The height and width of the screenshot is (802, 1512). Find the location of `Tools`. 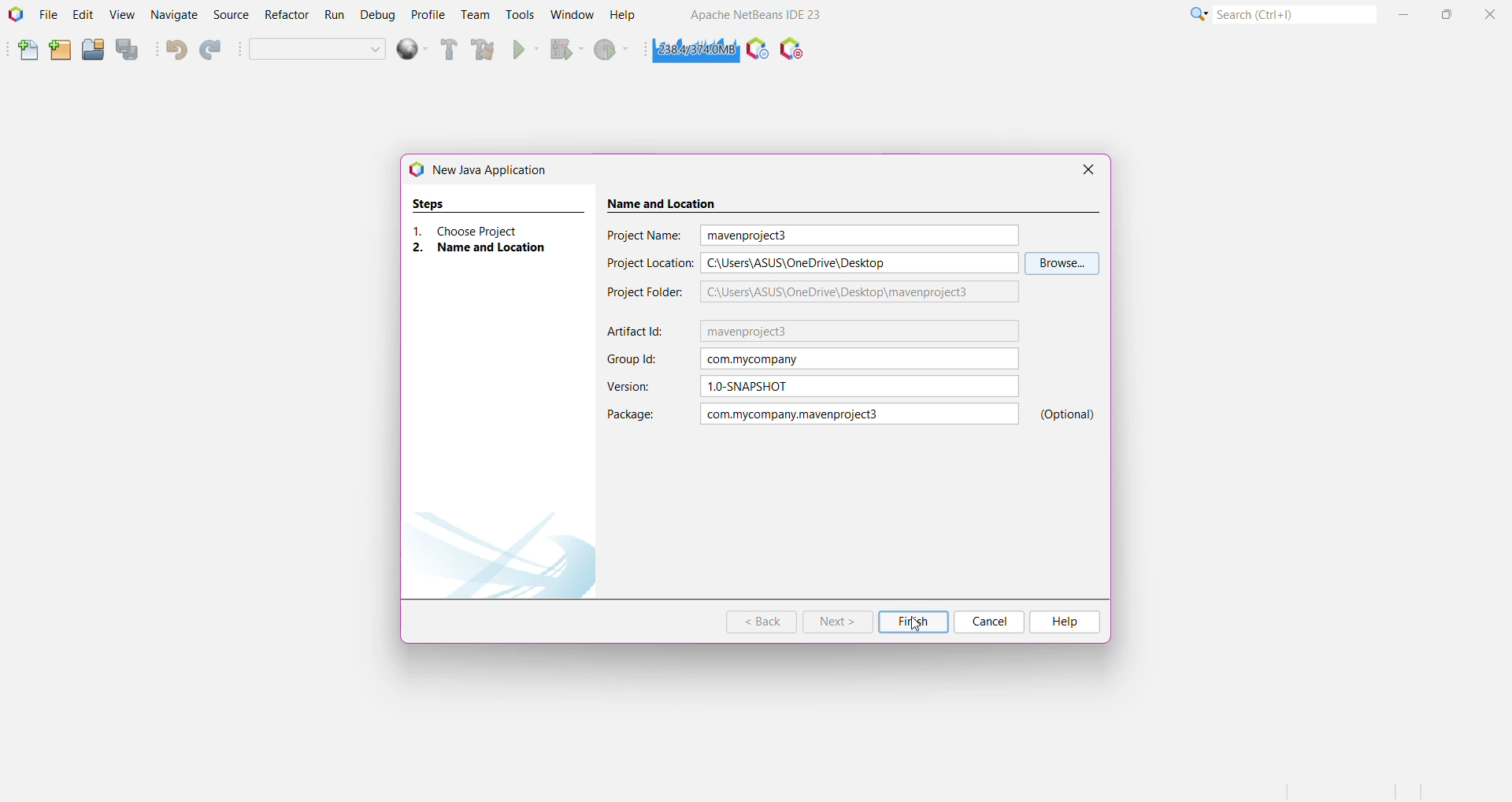

Tools is located at coordinates (520, 16).